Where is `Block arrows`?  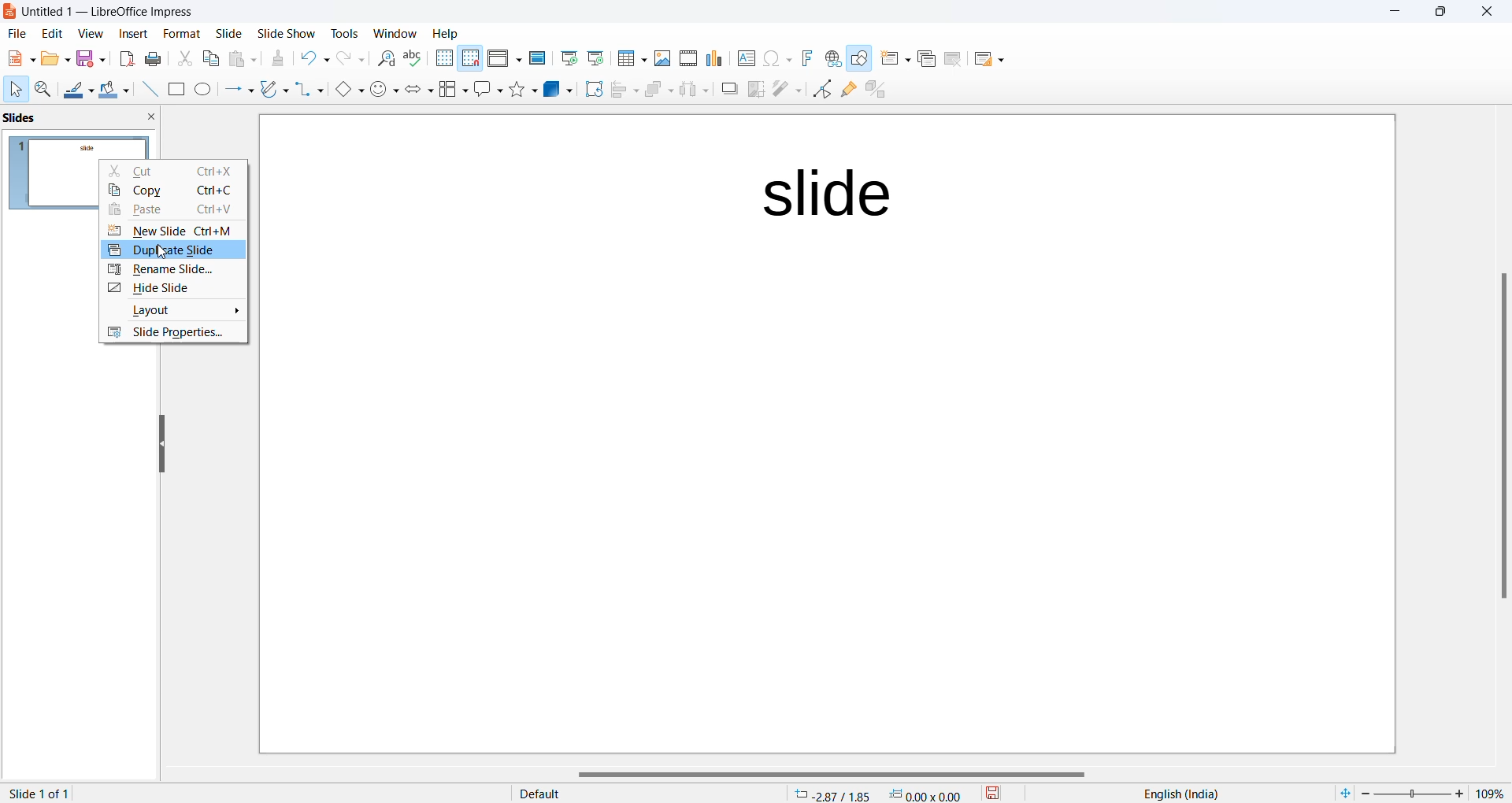 Block arrows is located at coordinates (417, 91).